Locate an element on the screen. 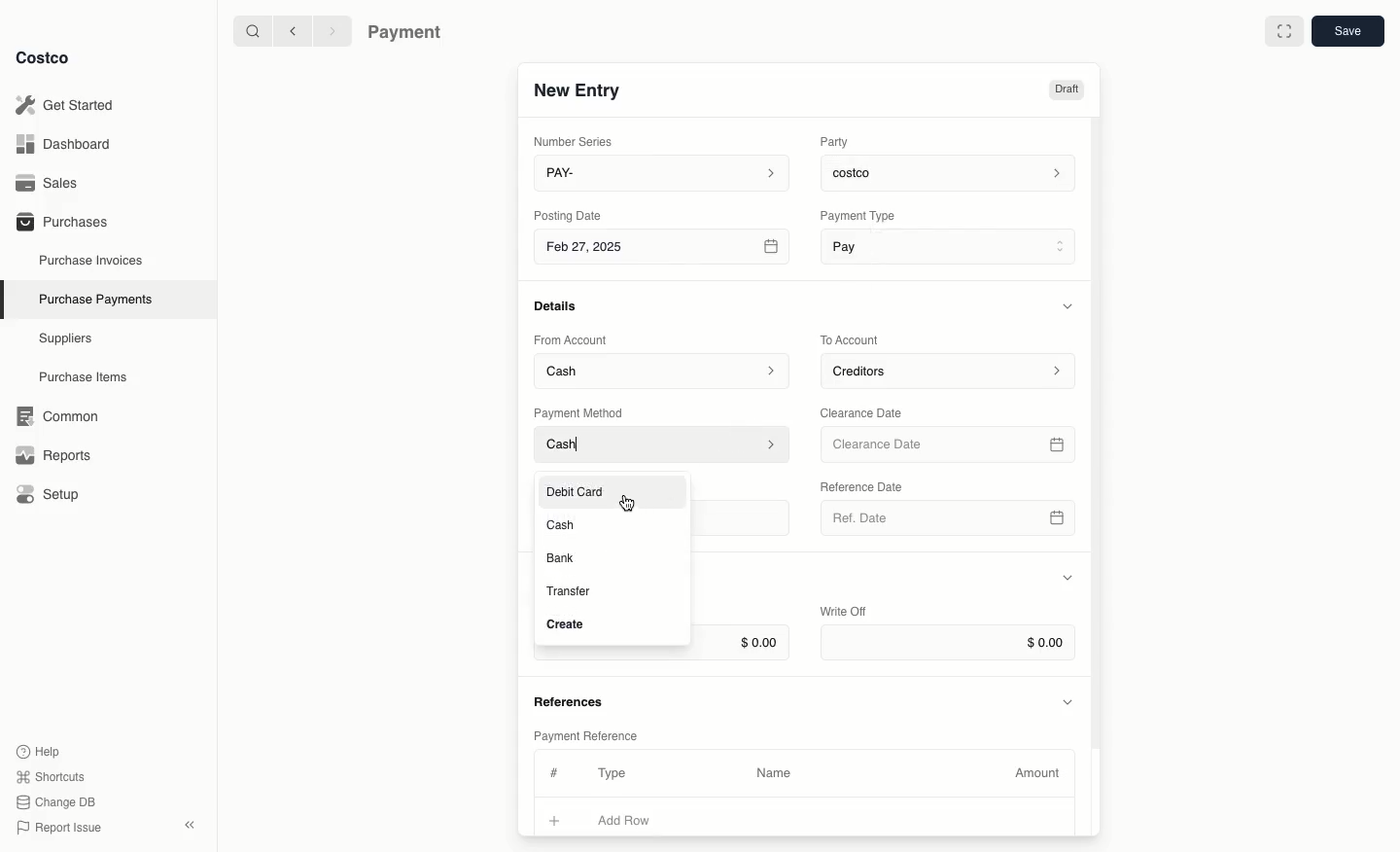 This screenshot has height=852, width=1400. cursor is located at coordinates (625, 504).